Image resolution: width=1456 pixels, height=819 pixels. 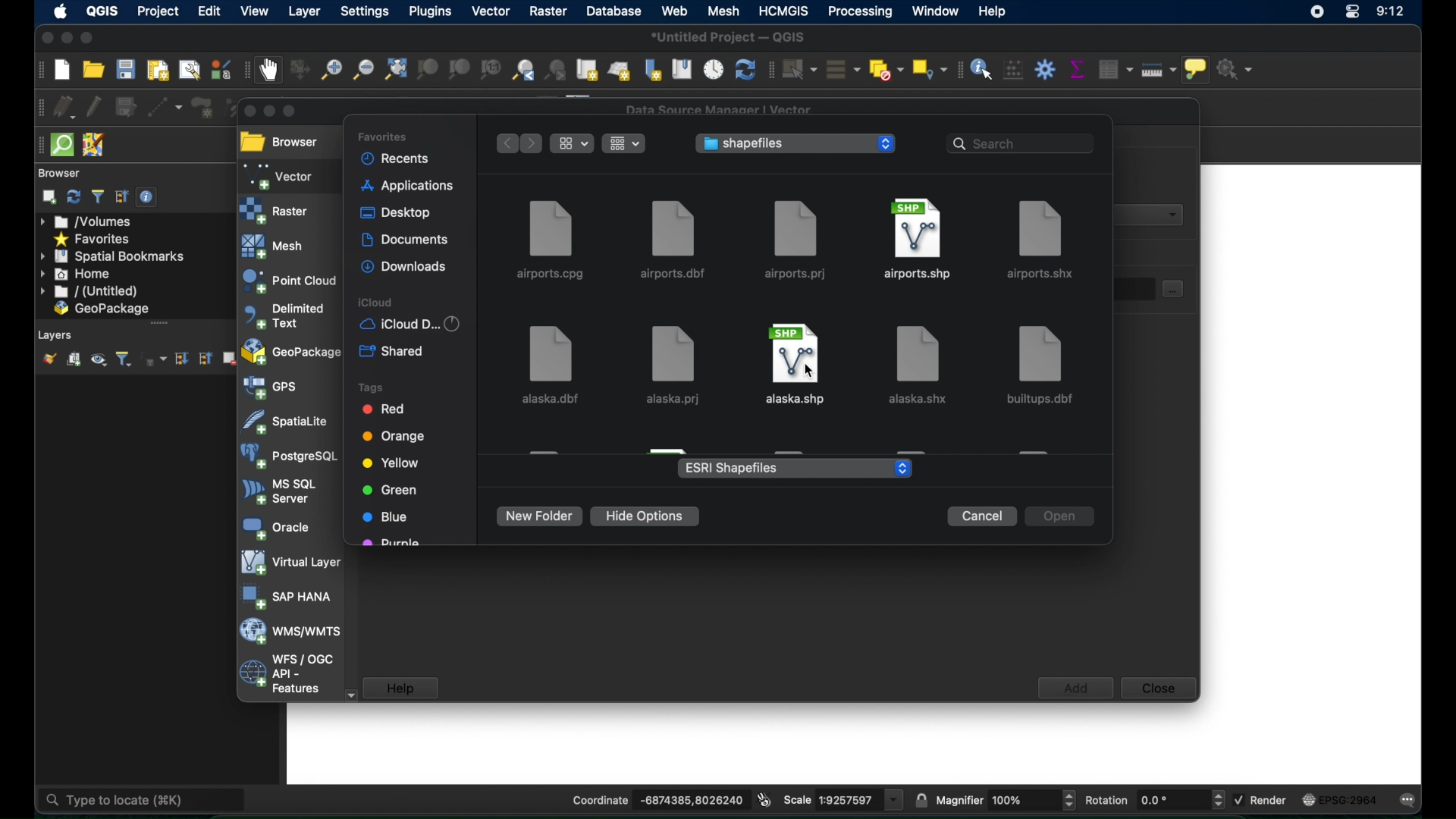 I want to click on toolbox, so click(x=1045, y=67).